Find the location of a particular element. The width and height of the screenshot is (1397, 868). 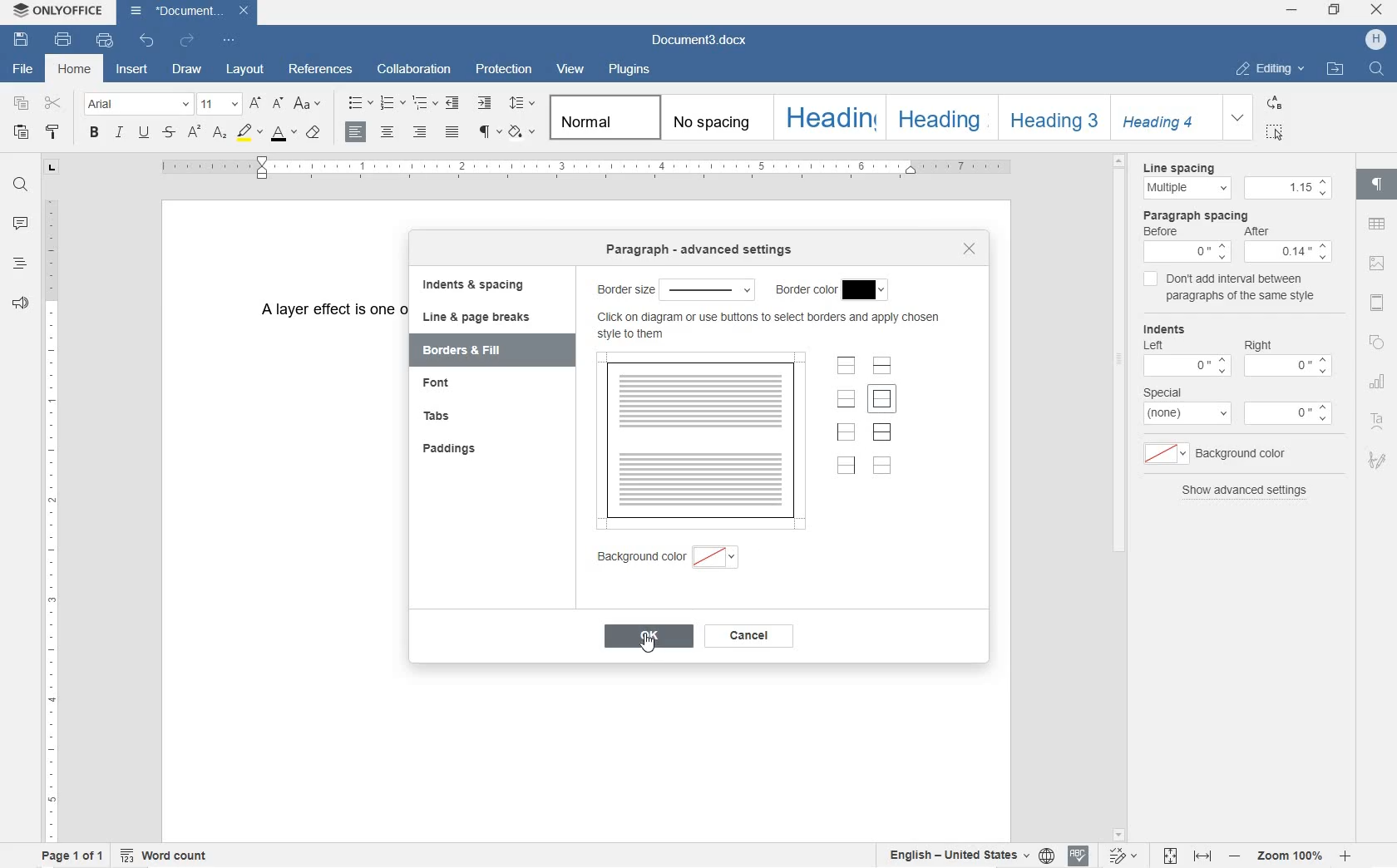

borders preview is located at coordinates (699, 440).